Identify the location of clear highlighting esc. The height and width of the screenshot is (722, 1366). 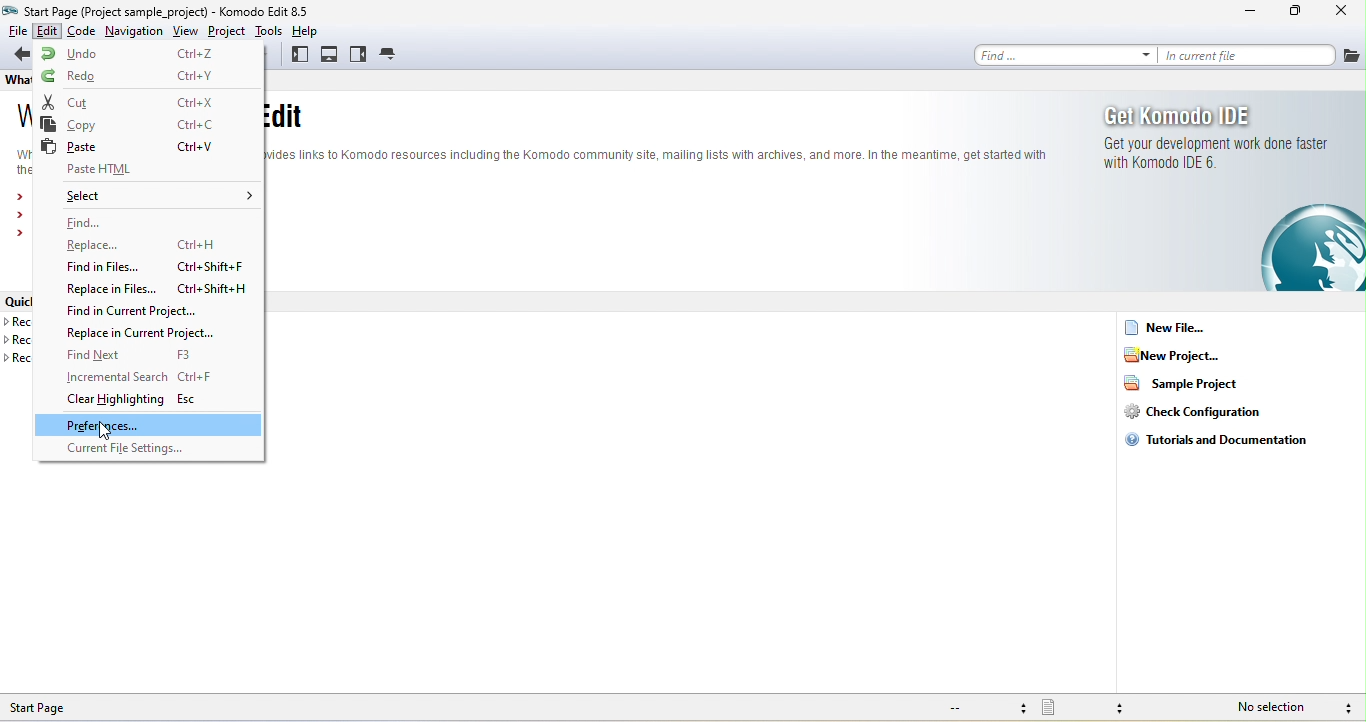
(137, 401).